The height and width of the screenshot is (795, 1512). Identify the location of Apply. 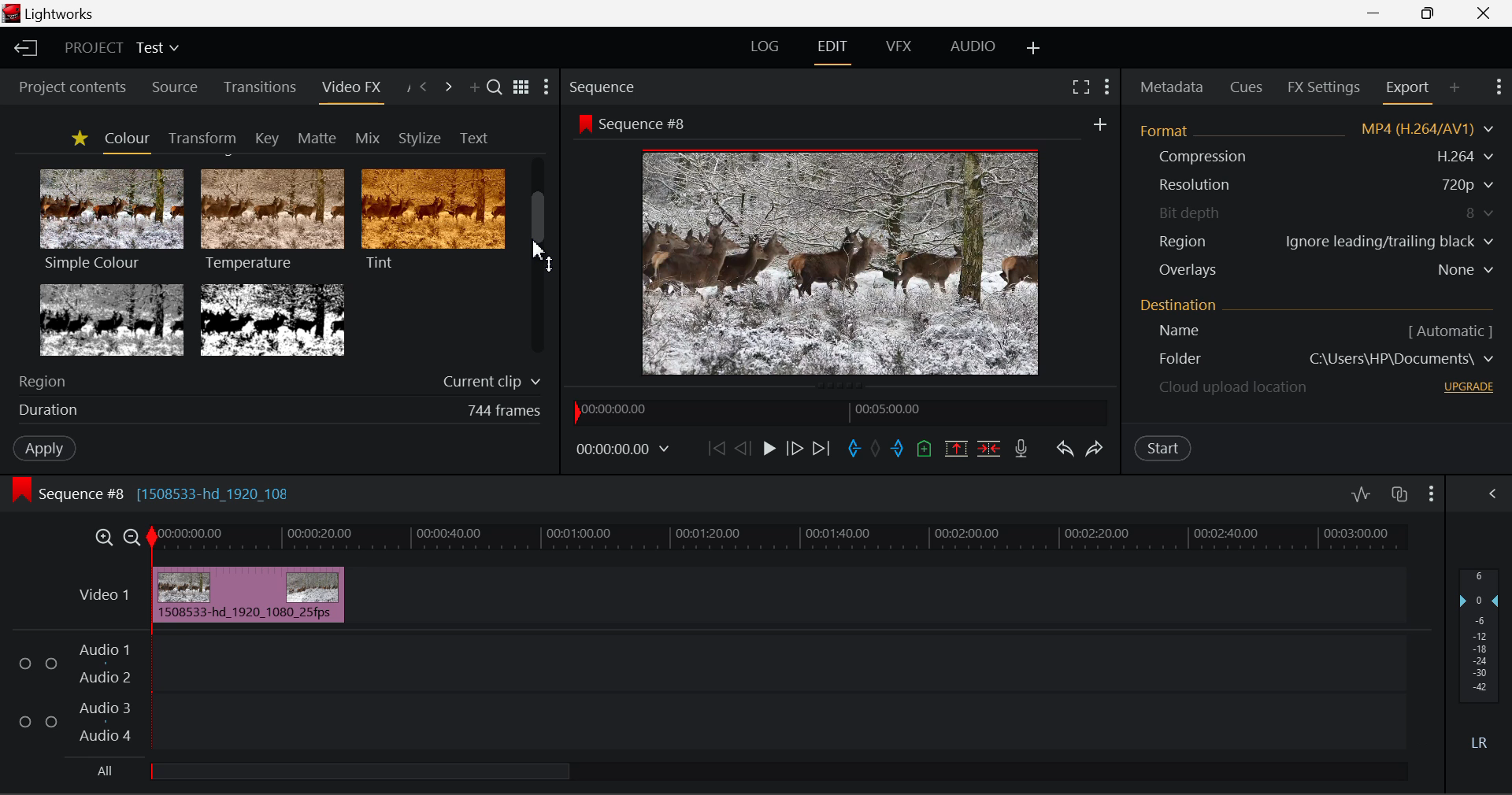
(36, 447).